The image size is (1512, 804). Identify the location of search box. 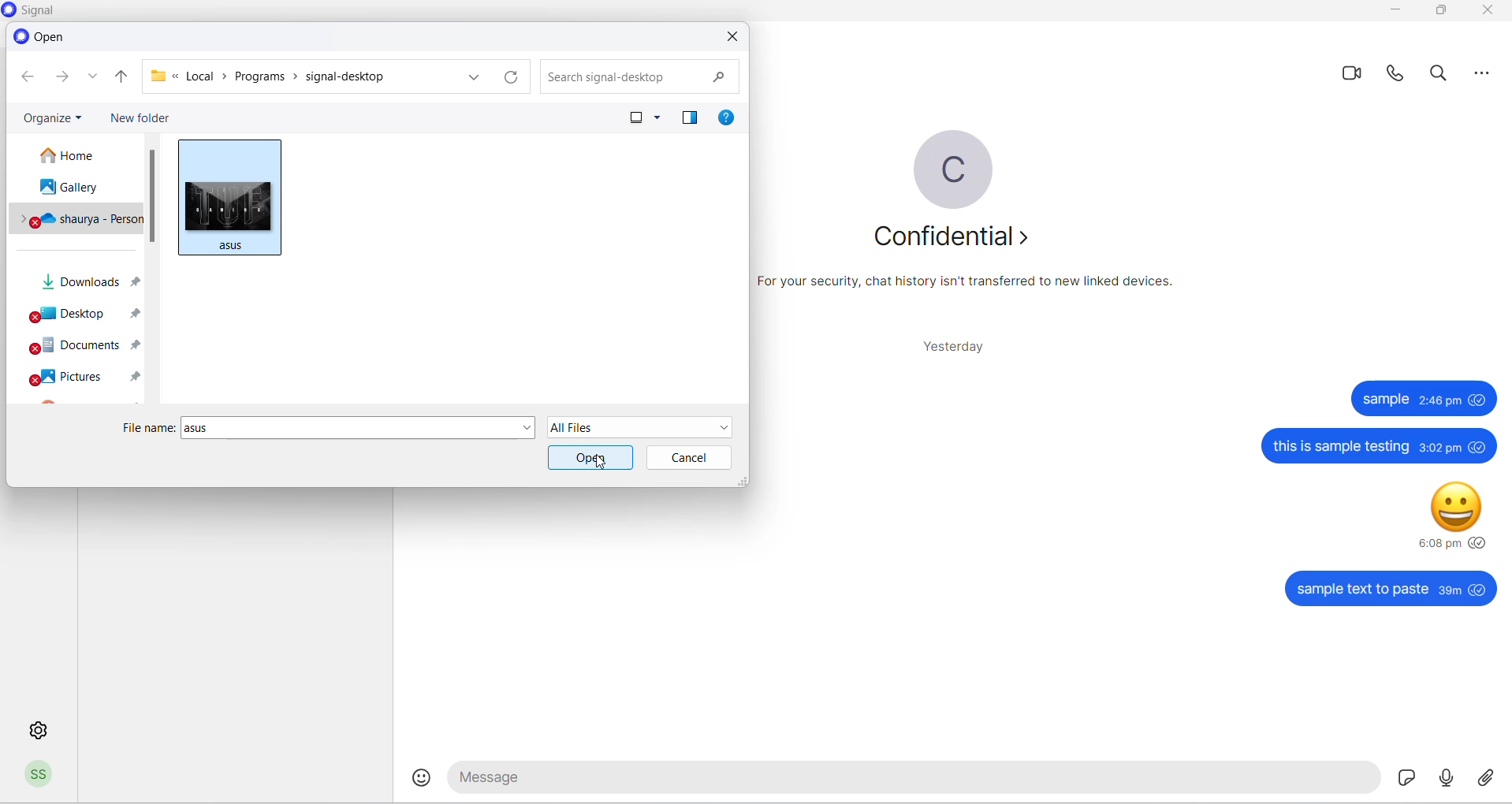
(635, 75).